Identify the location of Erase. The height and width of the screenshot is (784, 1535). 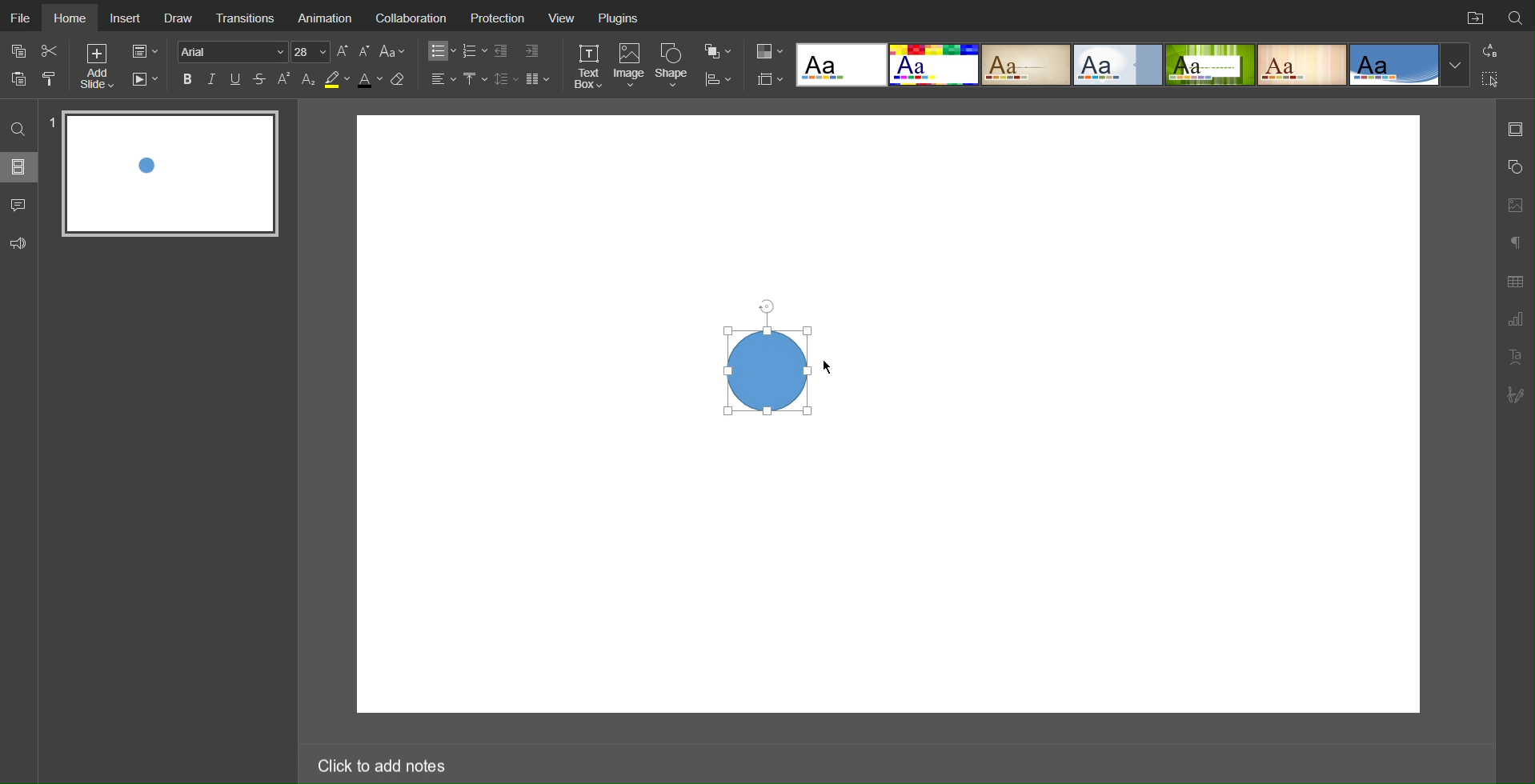
(401, 80).